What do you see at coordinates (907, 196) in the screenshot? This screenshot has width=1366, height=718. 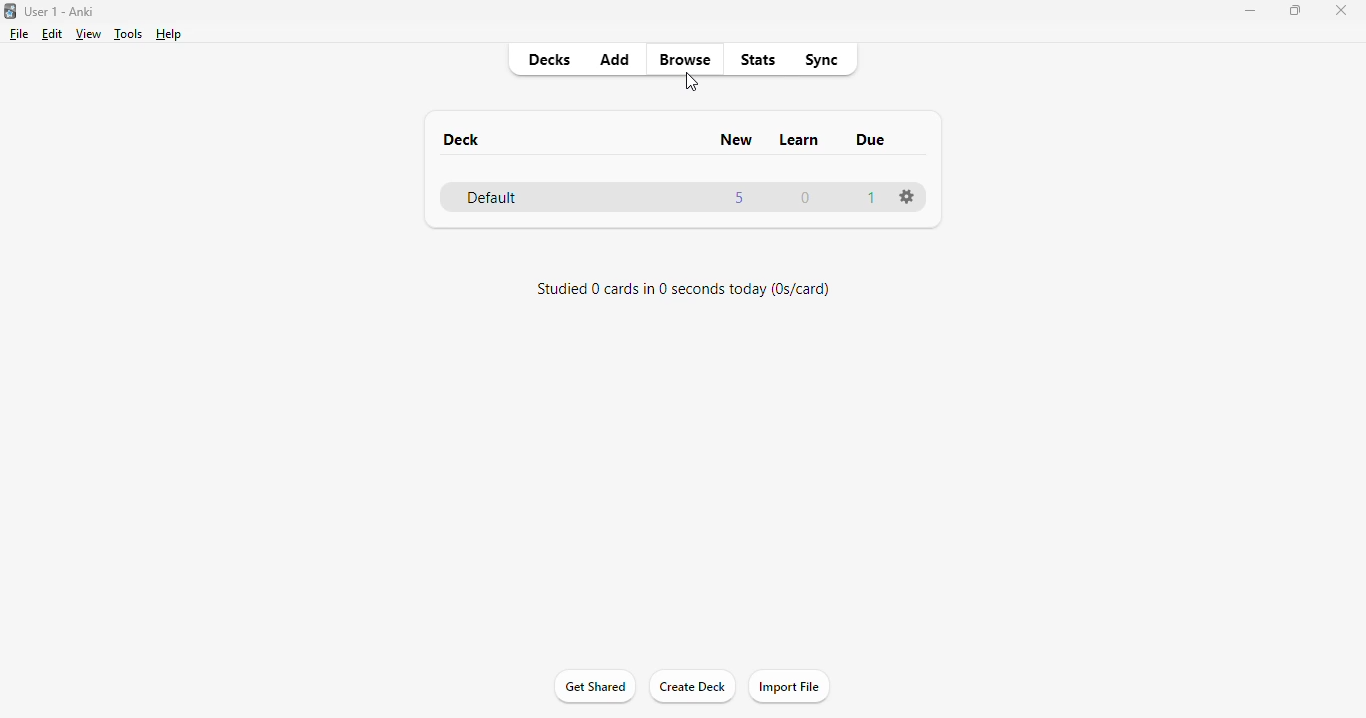 I see `options` at bounding box center [907, 196].